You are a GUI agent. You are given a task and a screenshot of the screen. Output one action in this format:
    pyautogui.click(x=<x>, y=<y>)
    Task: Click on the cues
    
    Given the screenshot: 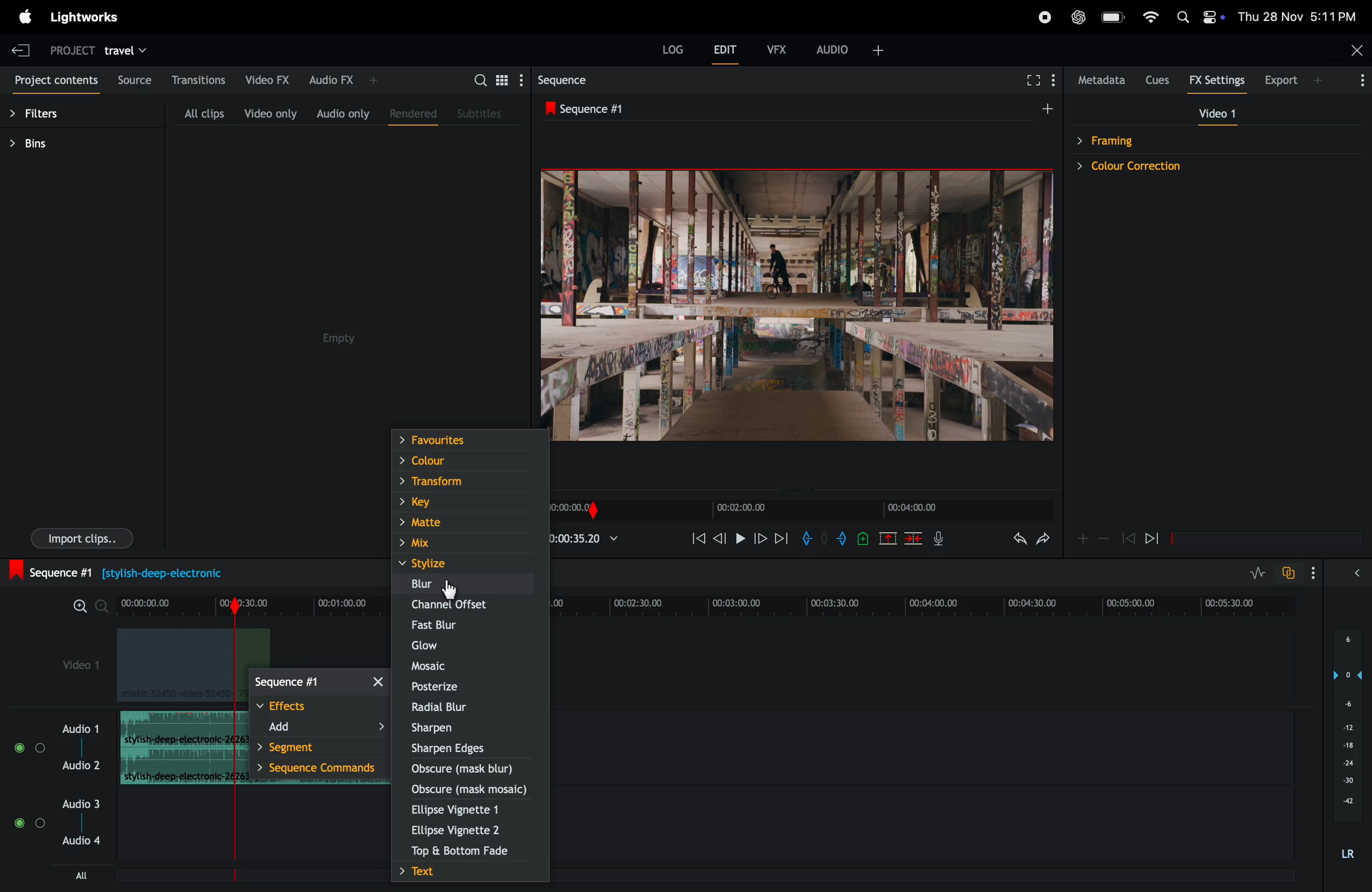 What is the action you would take?
    pyautogui.click(x=1156, y=80)
    